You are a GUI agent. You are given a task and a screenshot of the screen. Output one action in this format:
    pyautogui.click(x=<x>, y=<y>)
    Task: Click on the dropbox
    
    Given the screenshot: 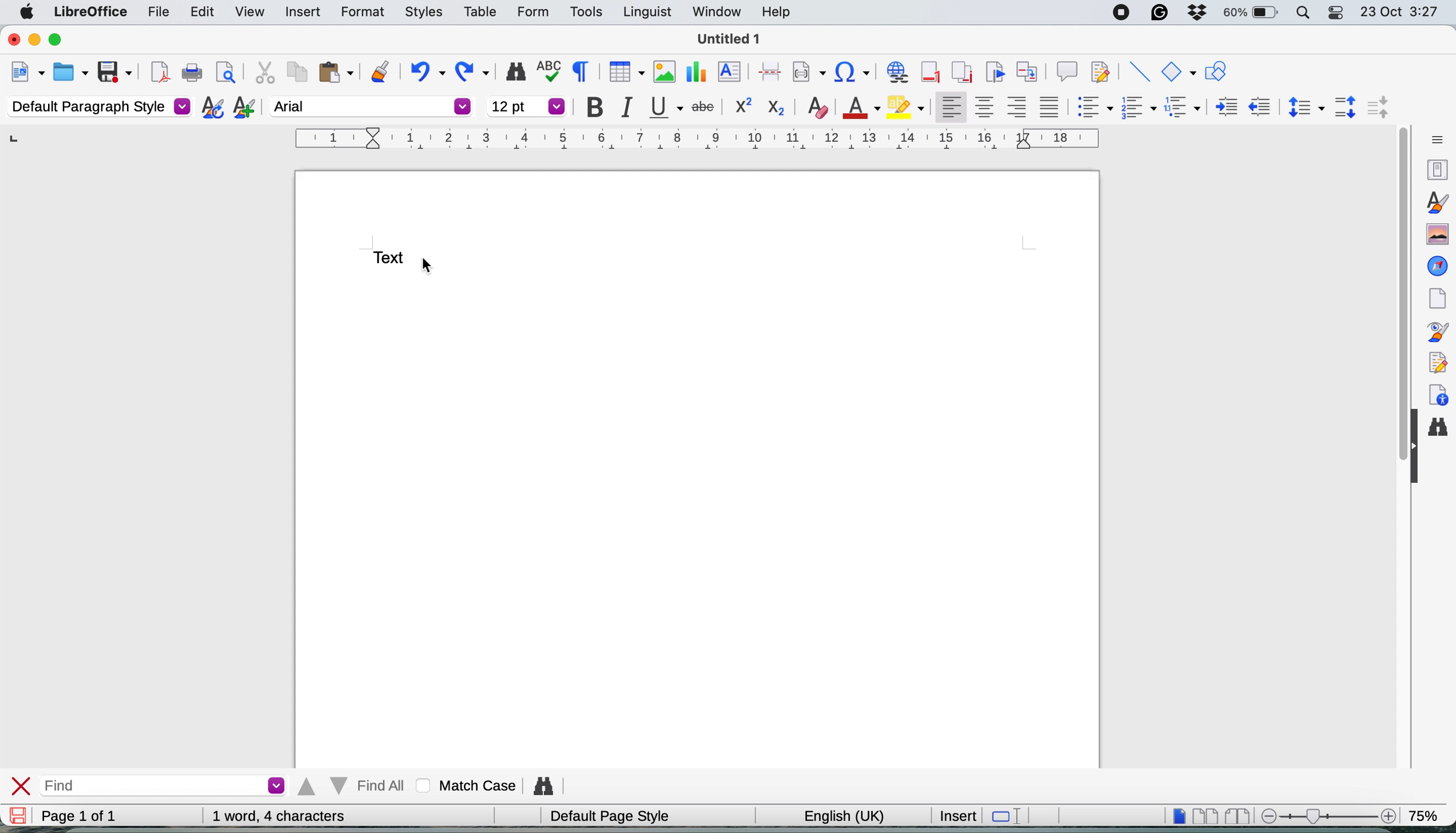 What is the action you would take?
    pyautogui.click(x=1195, y=11)
    